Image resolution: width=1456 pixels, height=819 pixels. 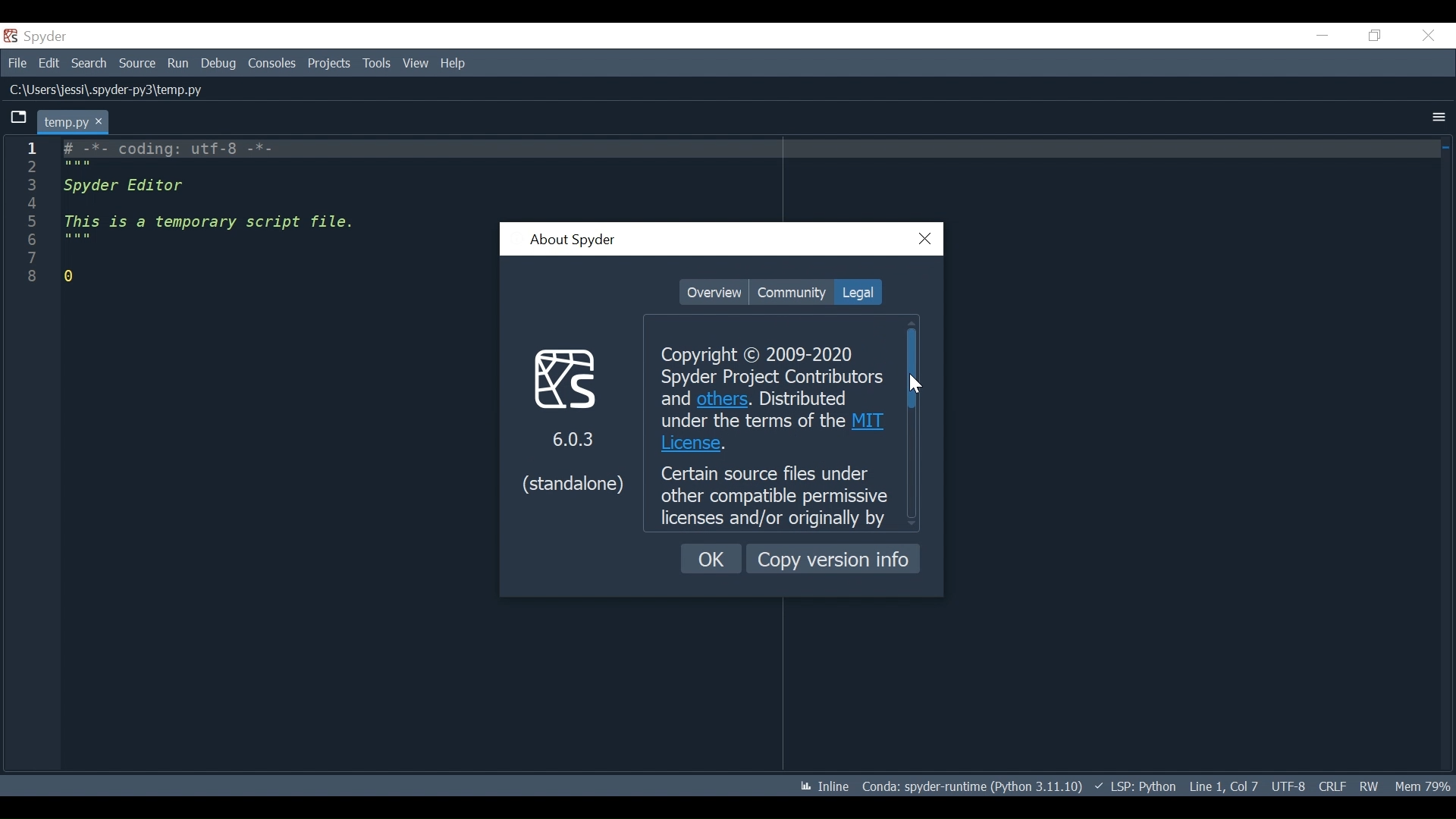 I want to click on ‘Mem 80%, so click(x=1426, y=786).